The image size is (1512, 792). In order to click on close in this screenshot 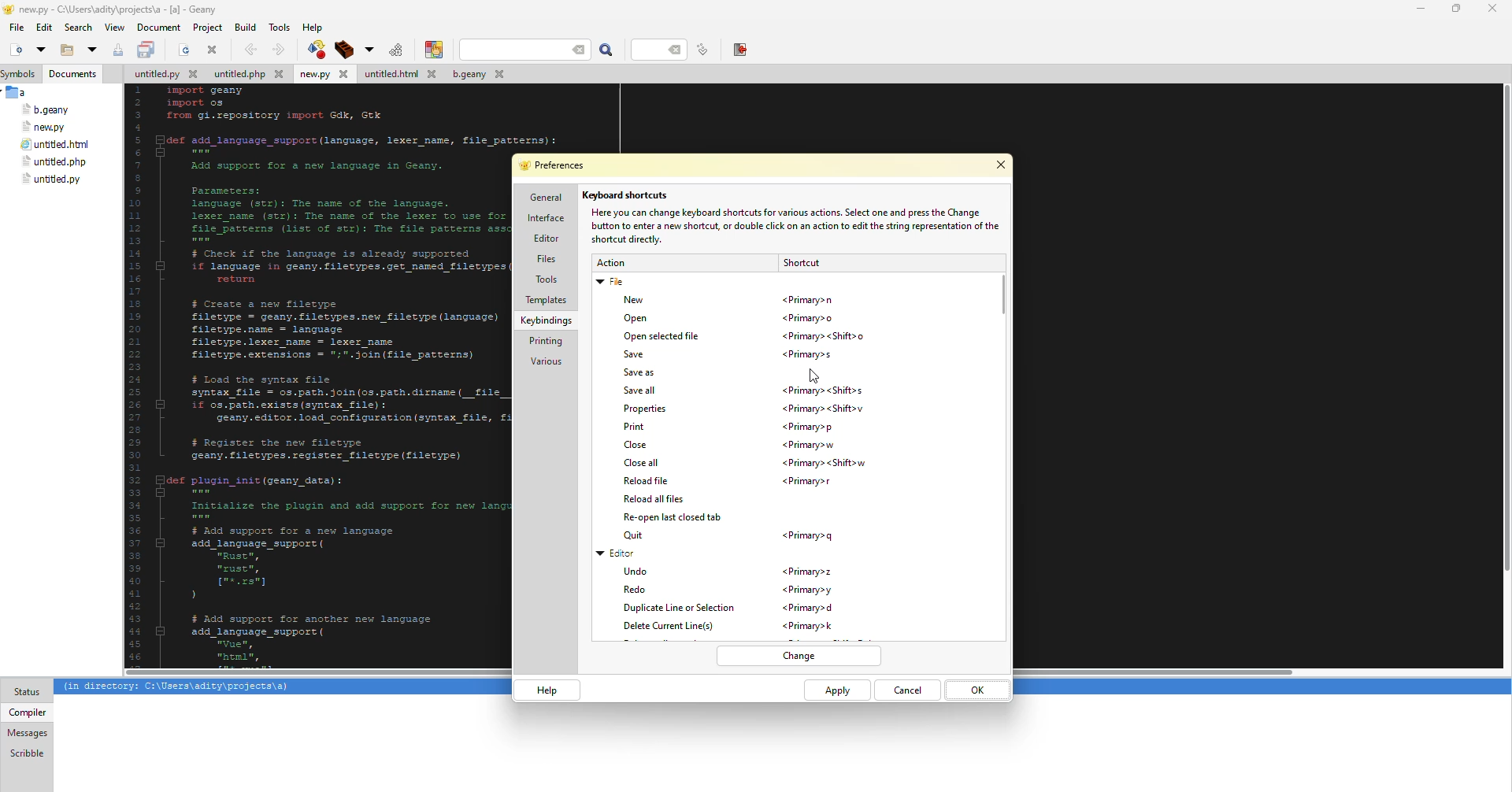, I will do `click(1000, 166)`.